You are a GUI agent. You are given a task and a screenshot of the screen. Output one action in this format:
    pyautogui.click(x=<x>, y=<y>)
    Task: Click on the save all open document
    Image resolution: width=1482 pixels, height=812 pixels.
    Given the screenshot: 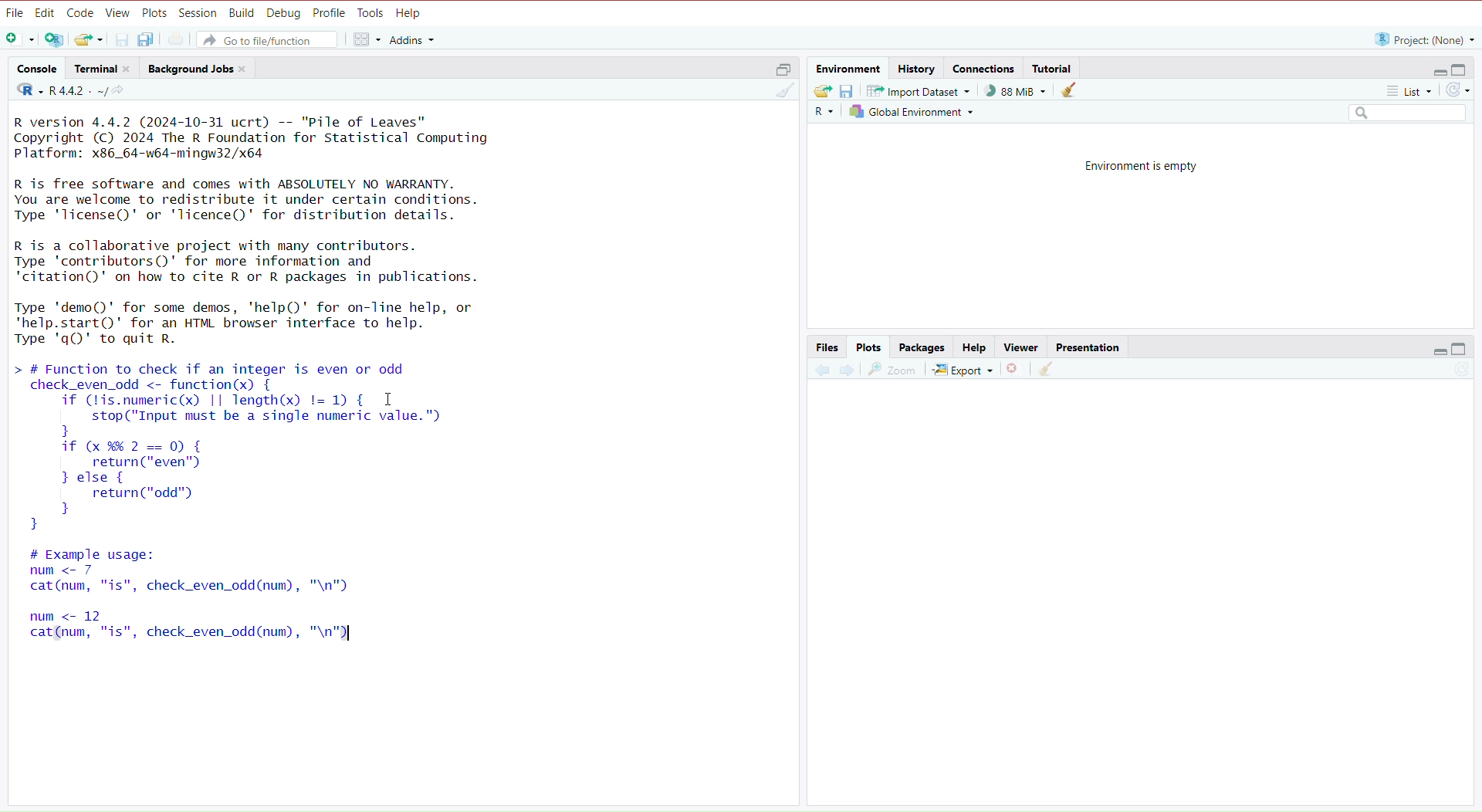 What is the action you would take?
    pyautogui.click(x=147, y=39)
    